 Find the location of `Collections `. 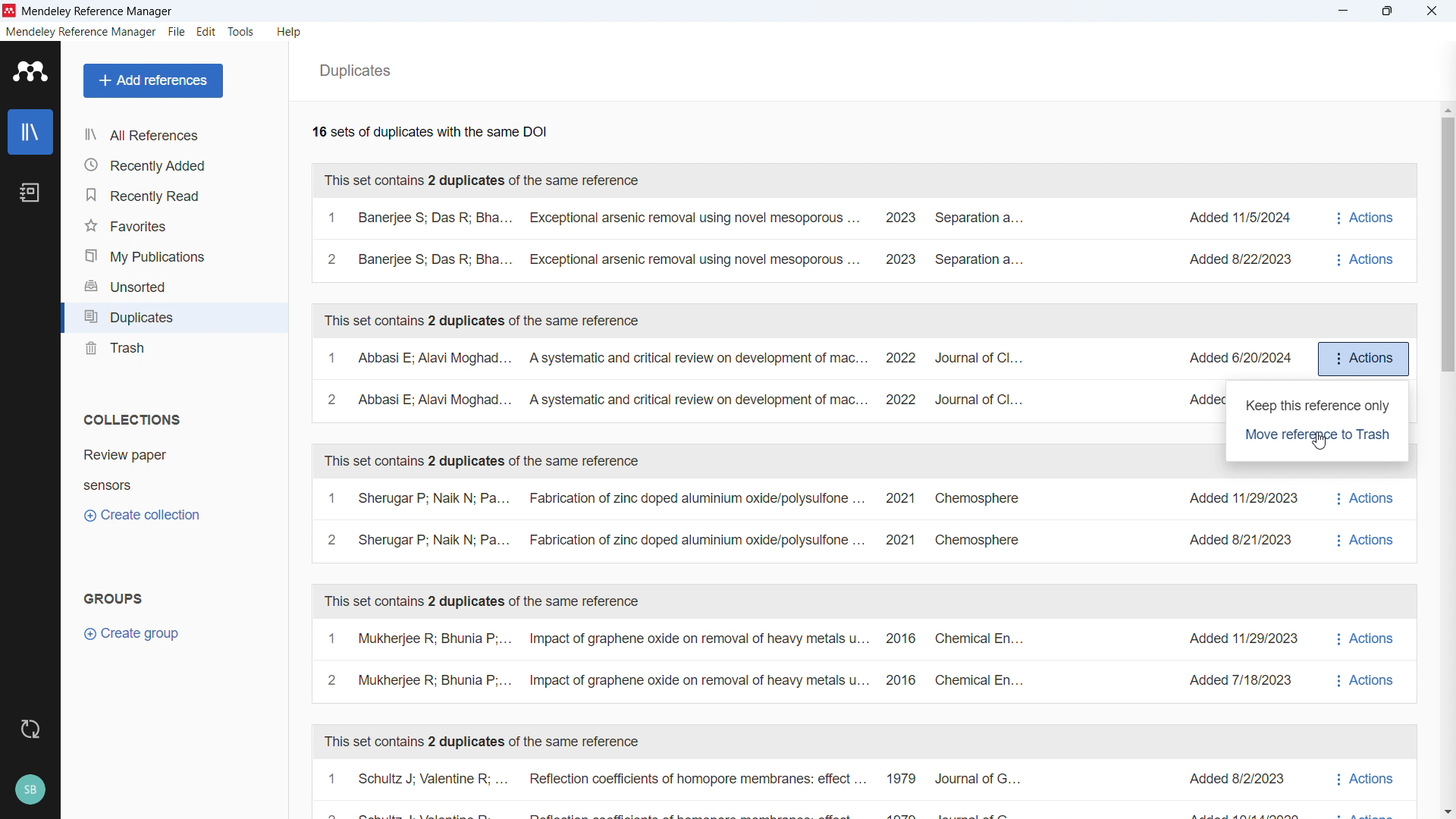

Collections  is located at coordinates (130, 420).